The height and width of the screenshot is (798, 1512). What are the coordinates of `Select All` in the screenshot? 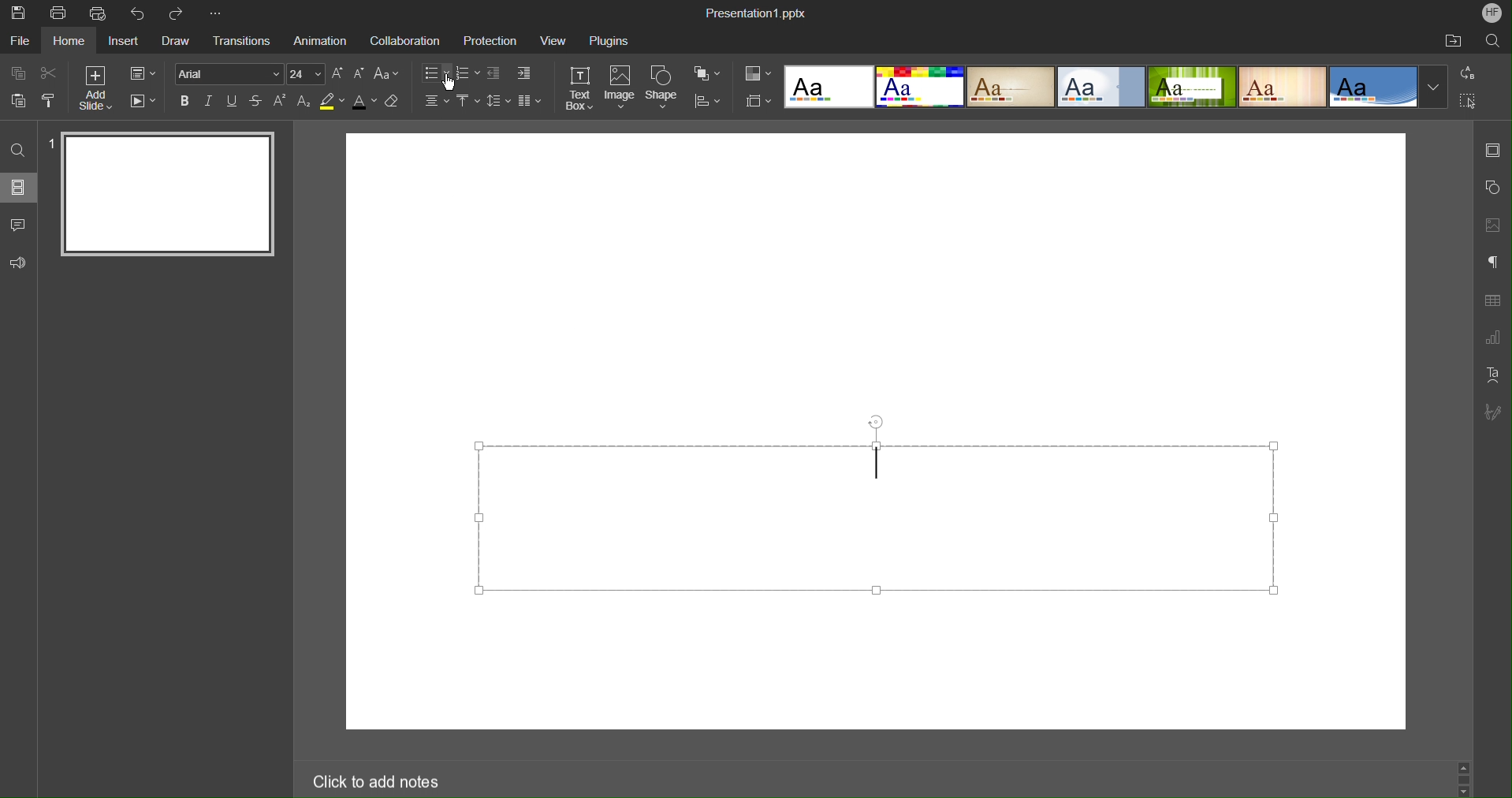 It's located at (1470, 100).